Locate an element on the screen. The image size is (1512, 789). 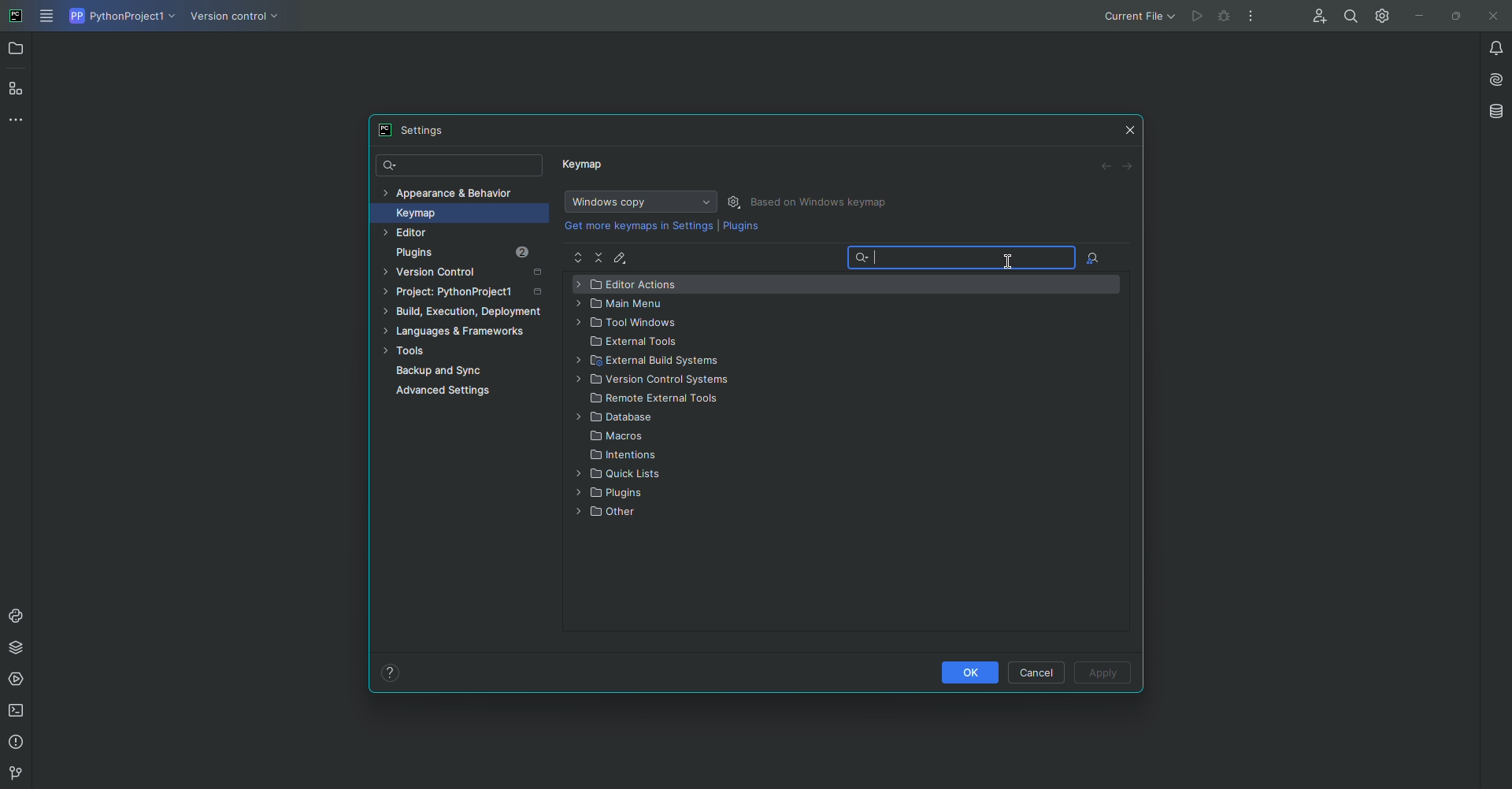
Keymap is located at coordinates (585, 168).